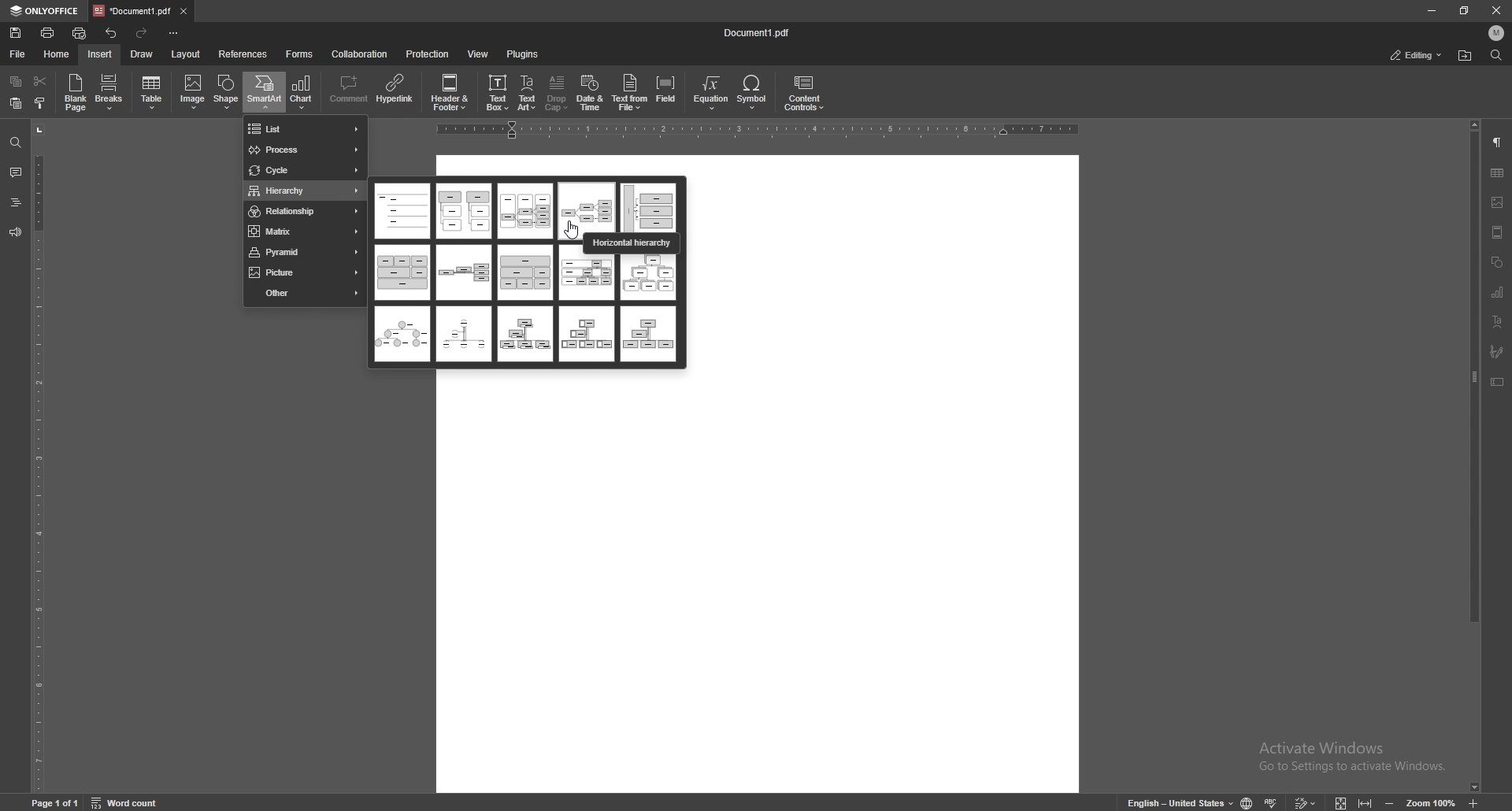  What do you see at coordinates (648, 206) in the screenshot?
I see `hierarchy smart art` at bounding box center [648, 206].